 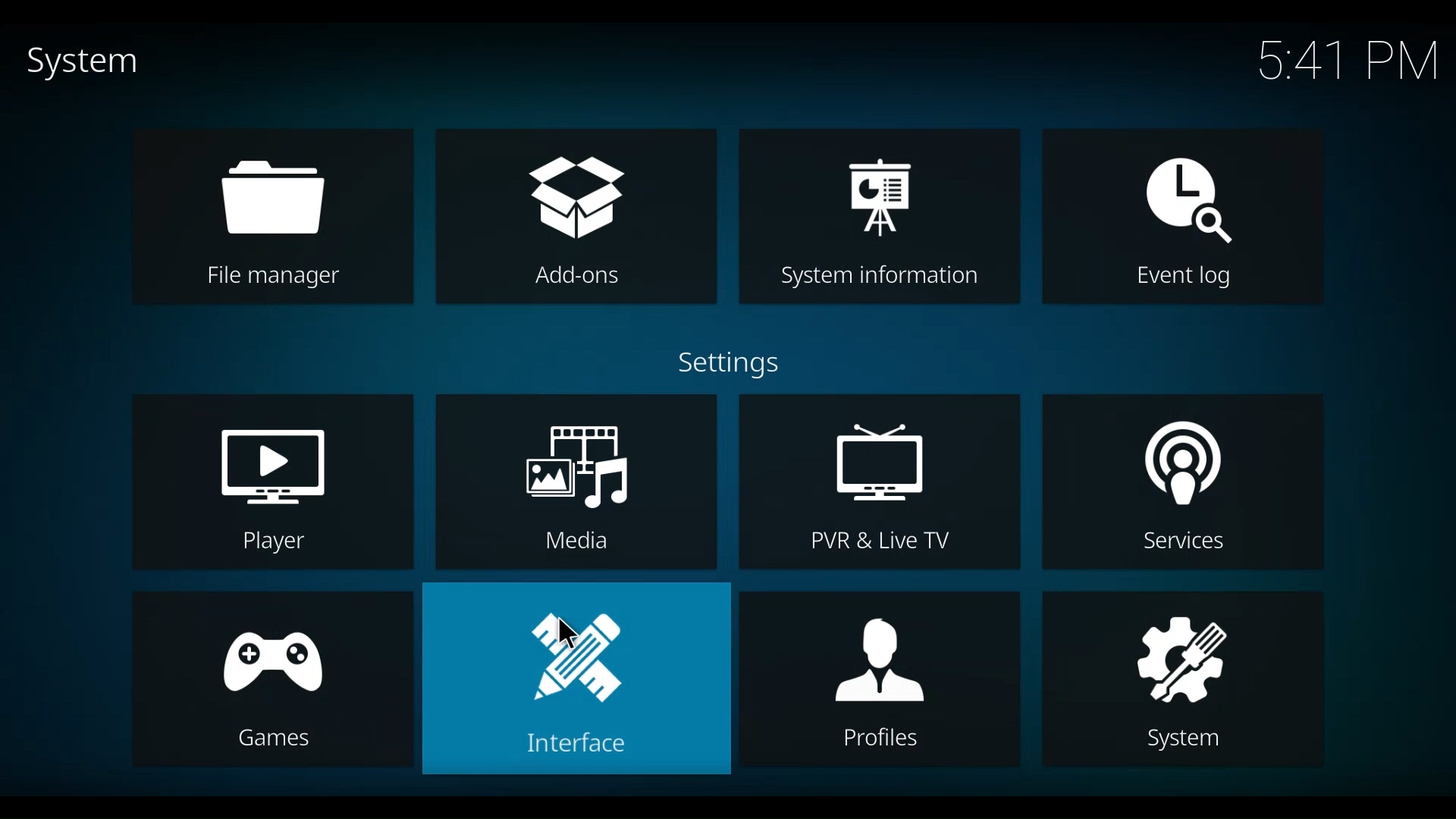 What do you see at coordinates (879, 483) in the screenshot?
I see `PVR & Live TV` at bounding box center [879, 483].